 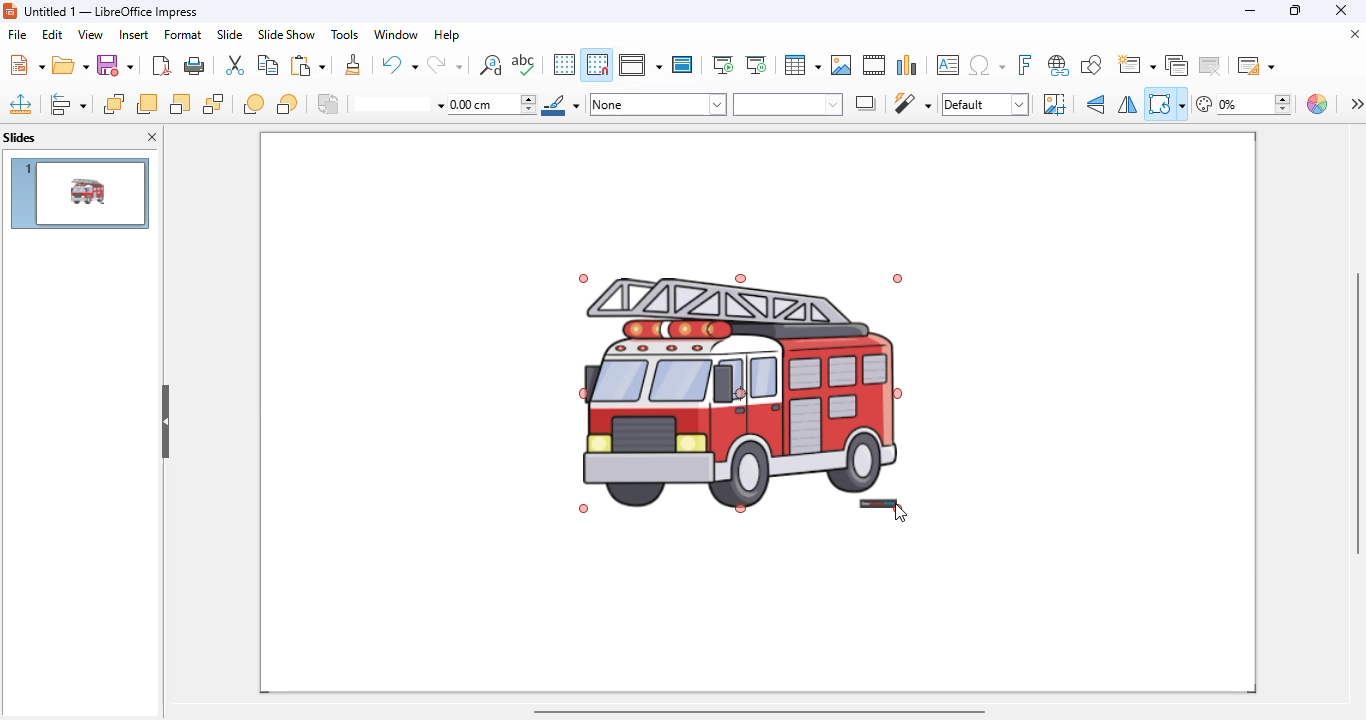 What do you see at coordinates (1319, 104) in the screenshot?
I see `color` at bounding box center [1319, 104].